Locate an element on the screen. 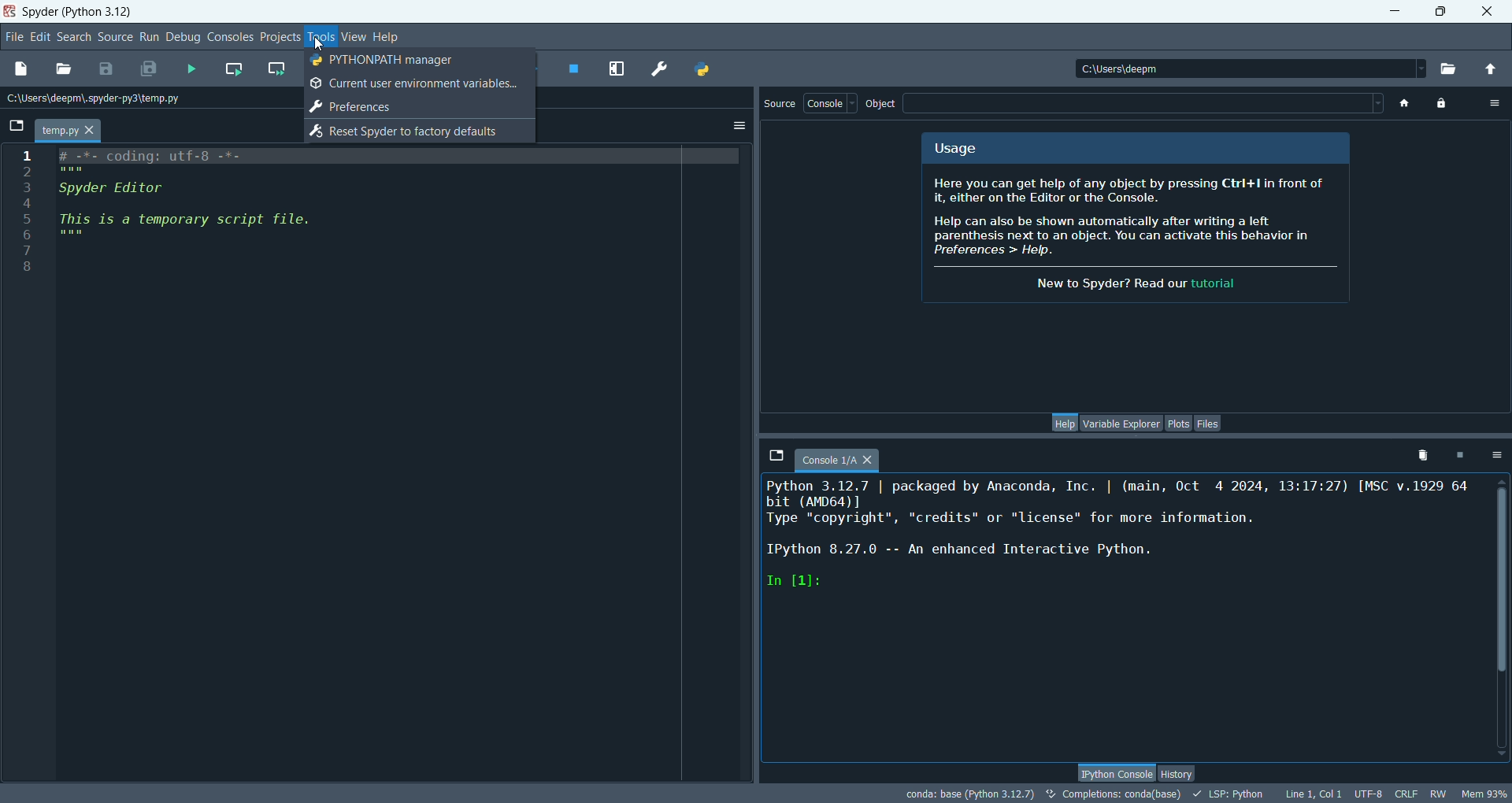 Image resolution: width=1512 pixels, height=803 pixels. logo is located at coordinates (10, 13).